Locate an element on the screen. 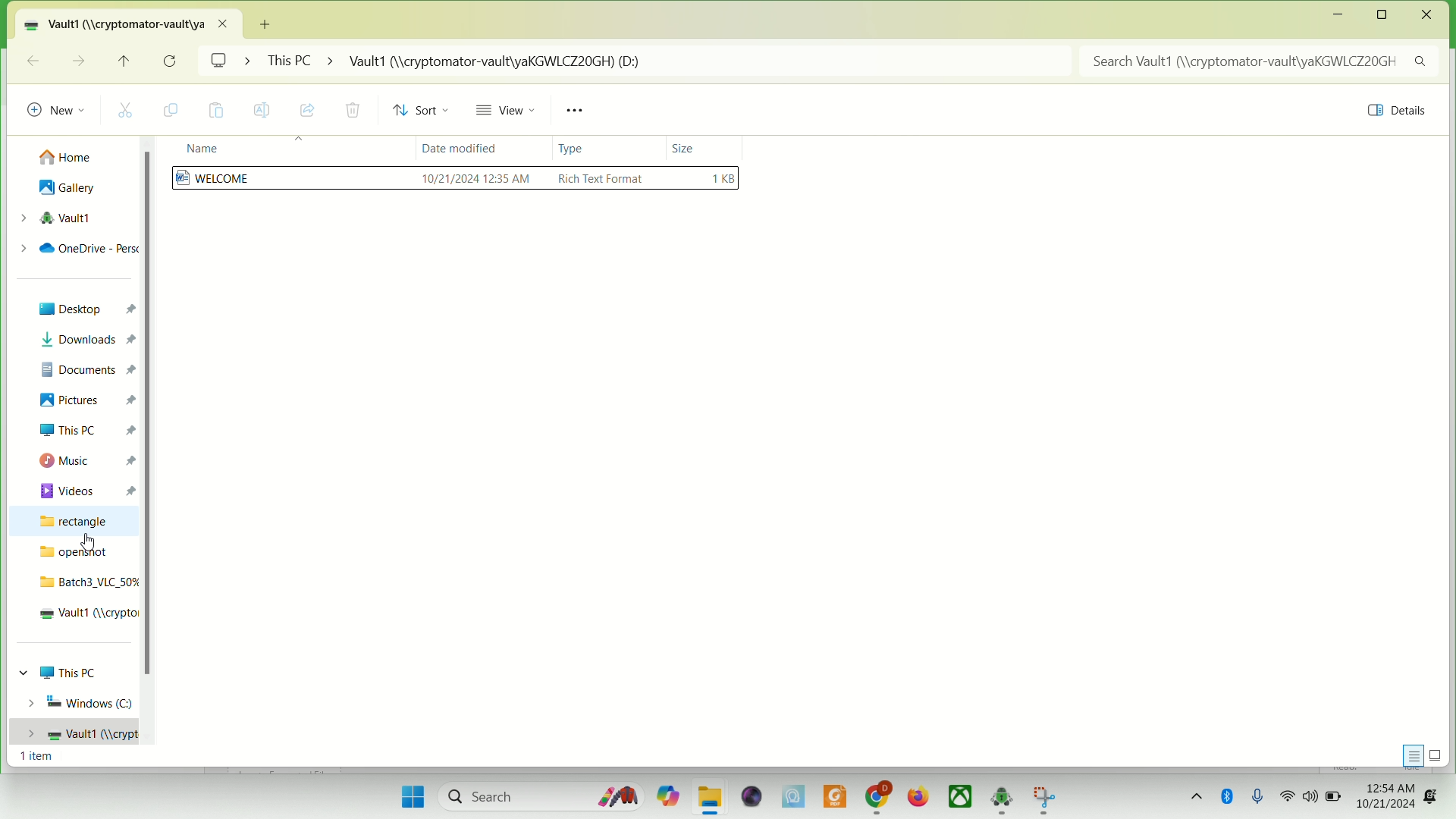  vault1 is located at coordinates (75, 733).